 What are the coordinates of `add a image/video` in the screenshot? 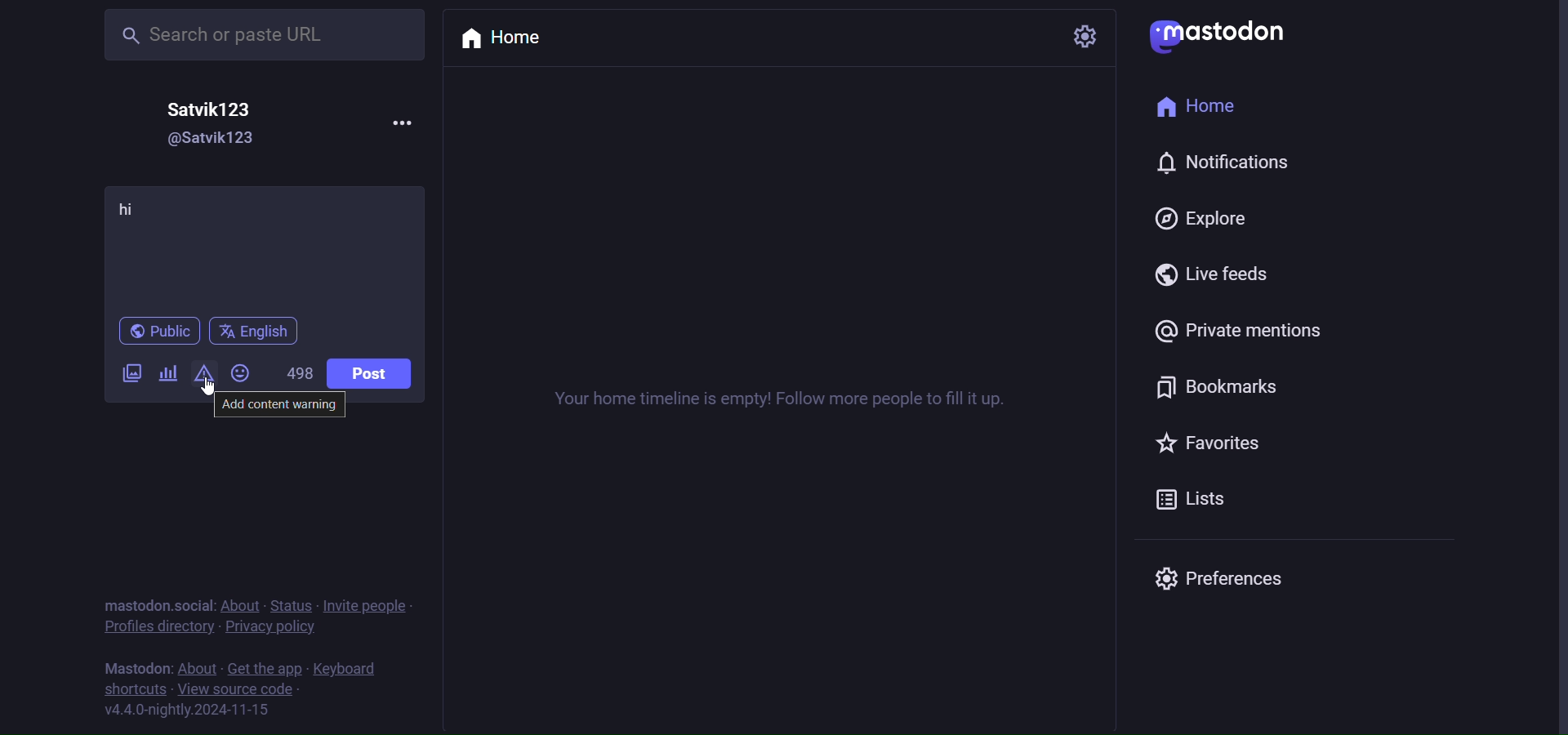 It's located at (127, 376).